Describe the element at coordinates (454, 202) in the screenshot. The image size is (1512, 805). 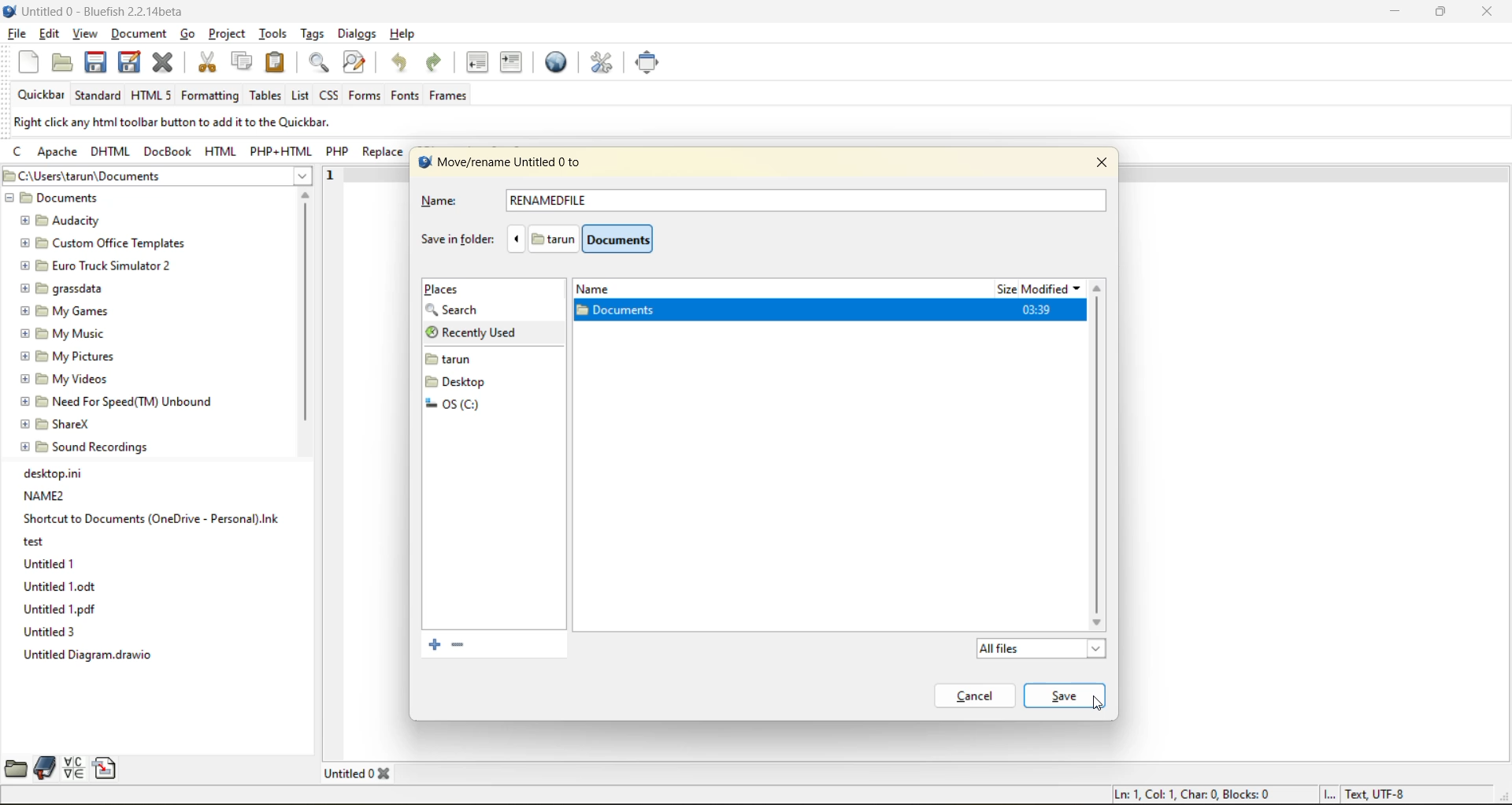
I see `name` at that location.